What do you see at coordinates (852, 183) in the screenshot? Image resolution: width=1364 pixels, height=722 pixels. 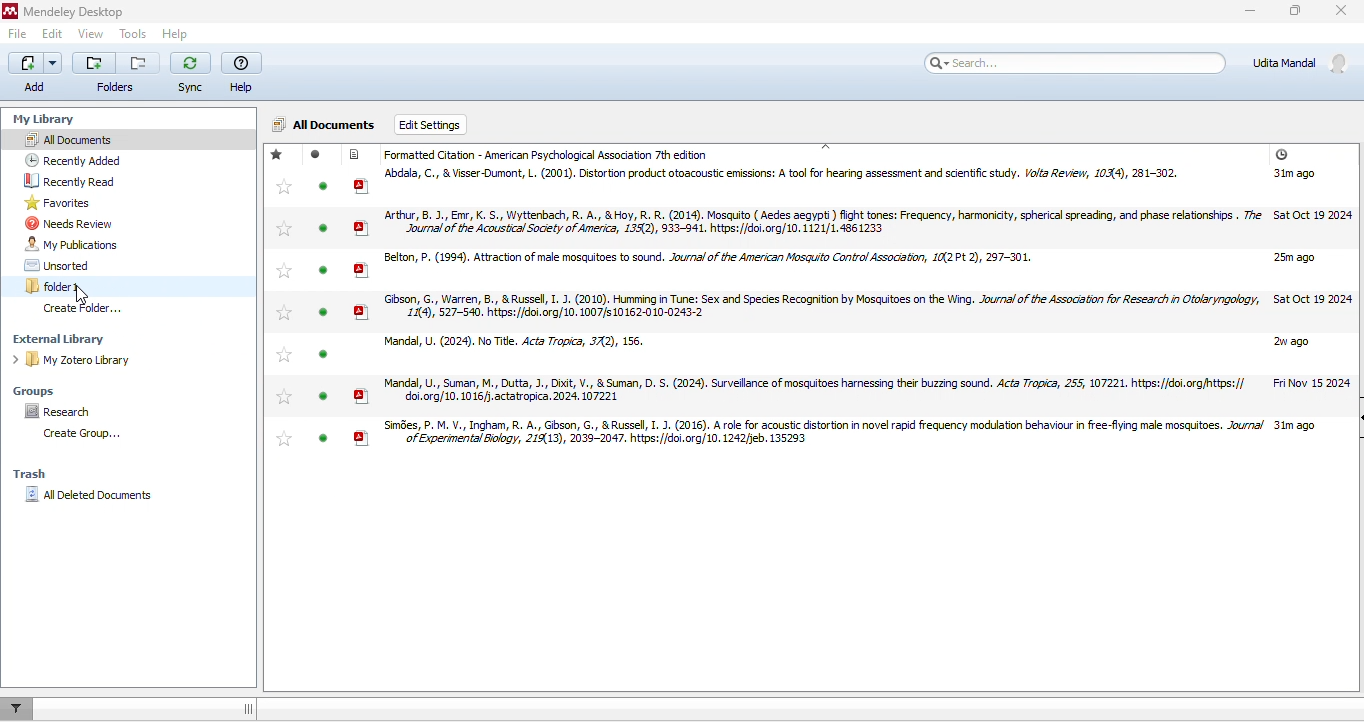 I see `research articles` at bounding box center [852, 183].